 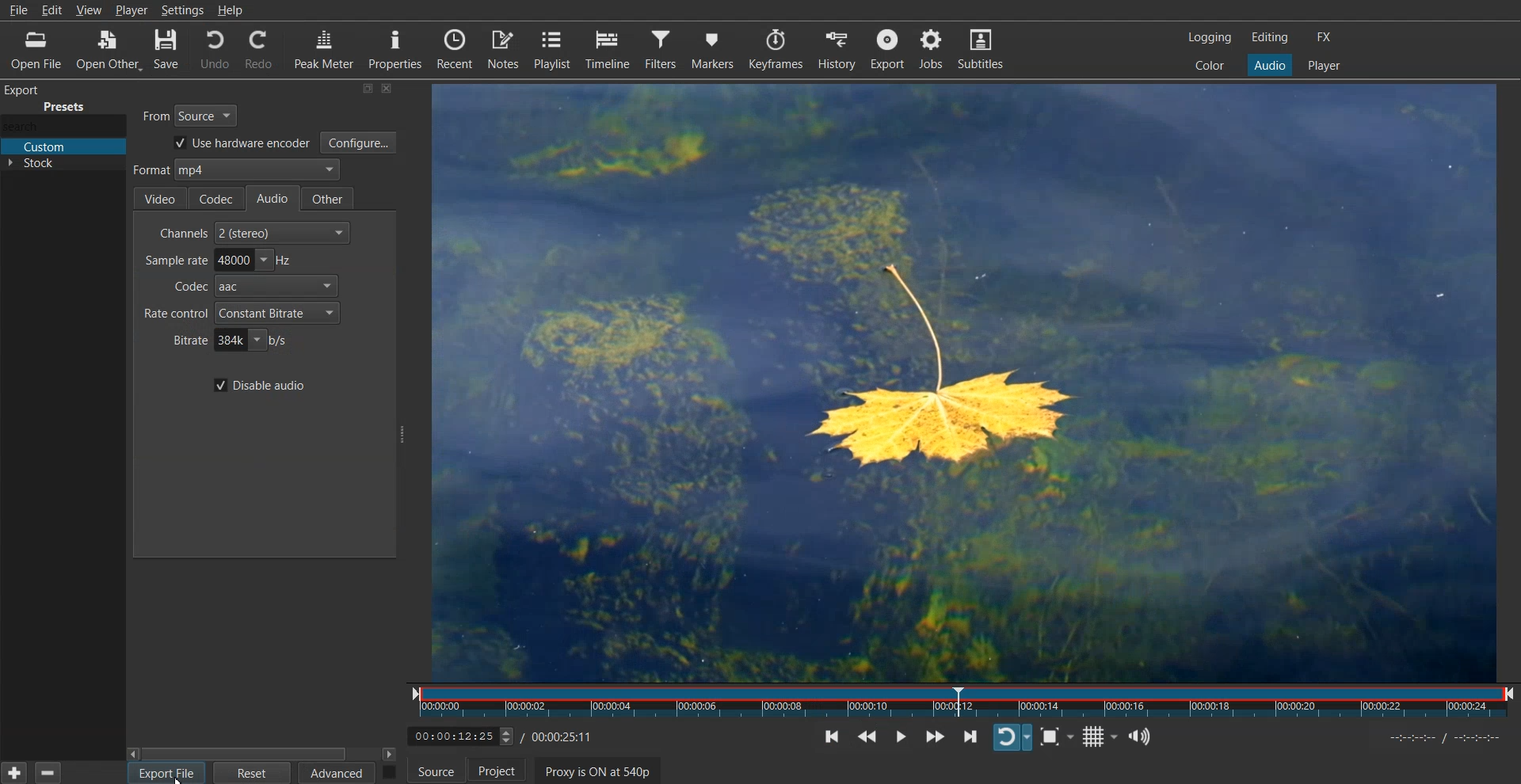 What do you see at coordinates (1270, 36) in the screenshot?
I see `Editing` at bounding box center [1270, 36].